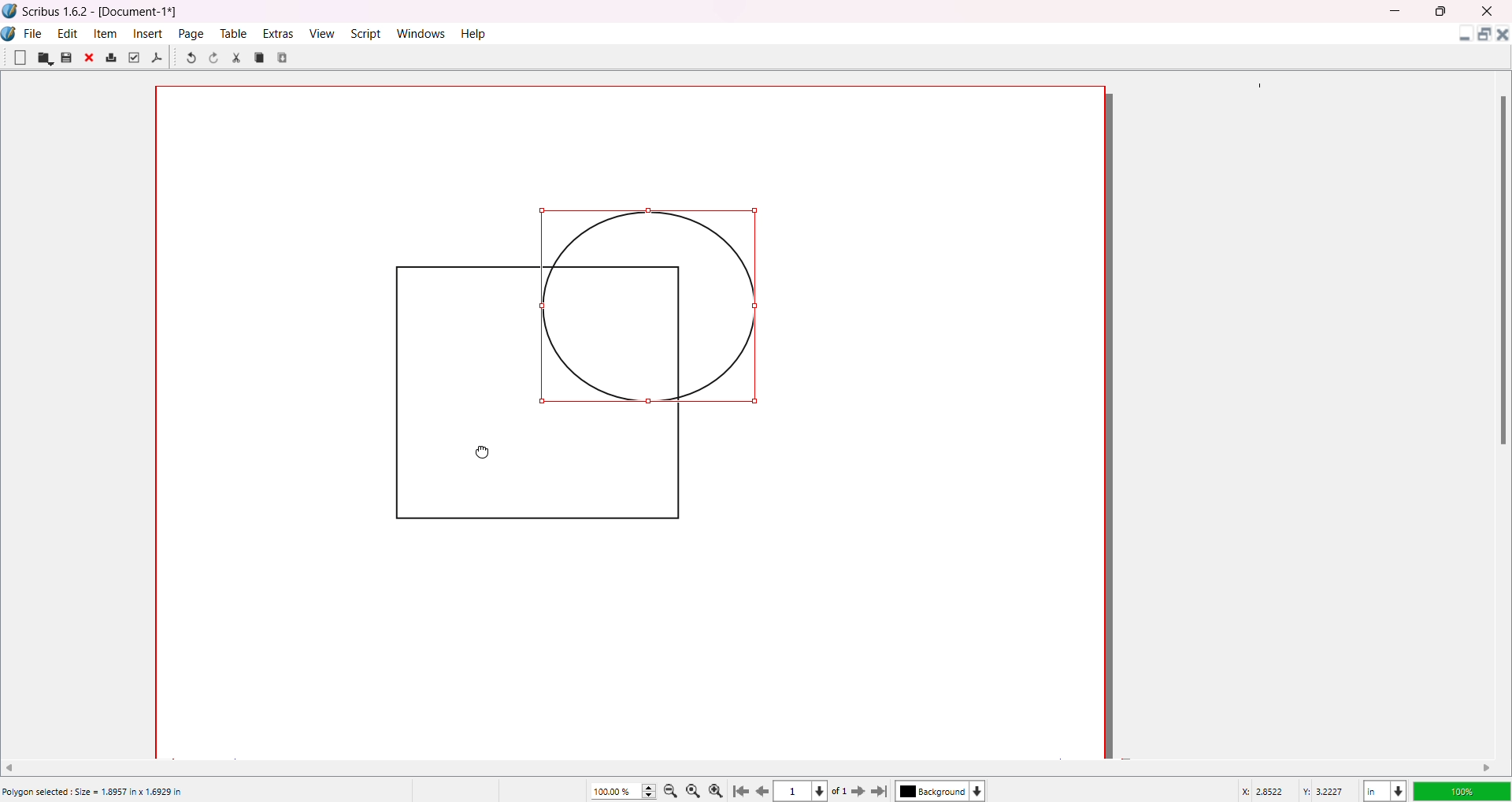 This screenshot has width=1512, height=802. Describe the element at coordinates (673, 790) in the screenshot. I see `Zoom out` at that location.